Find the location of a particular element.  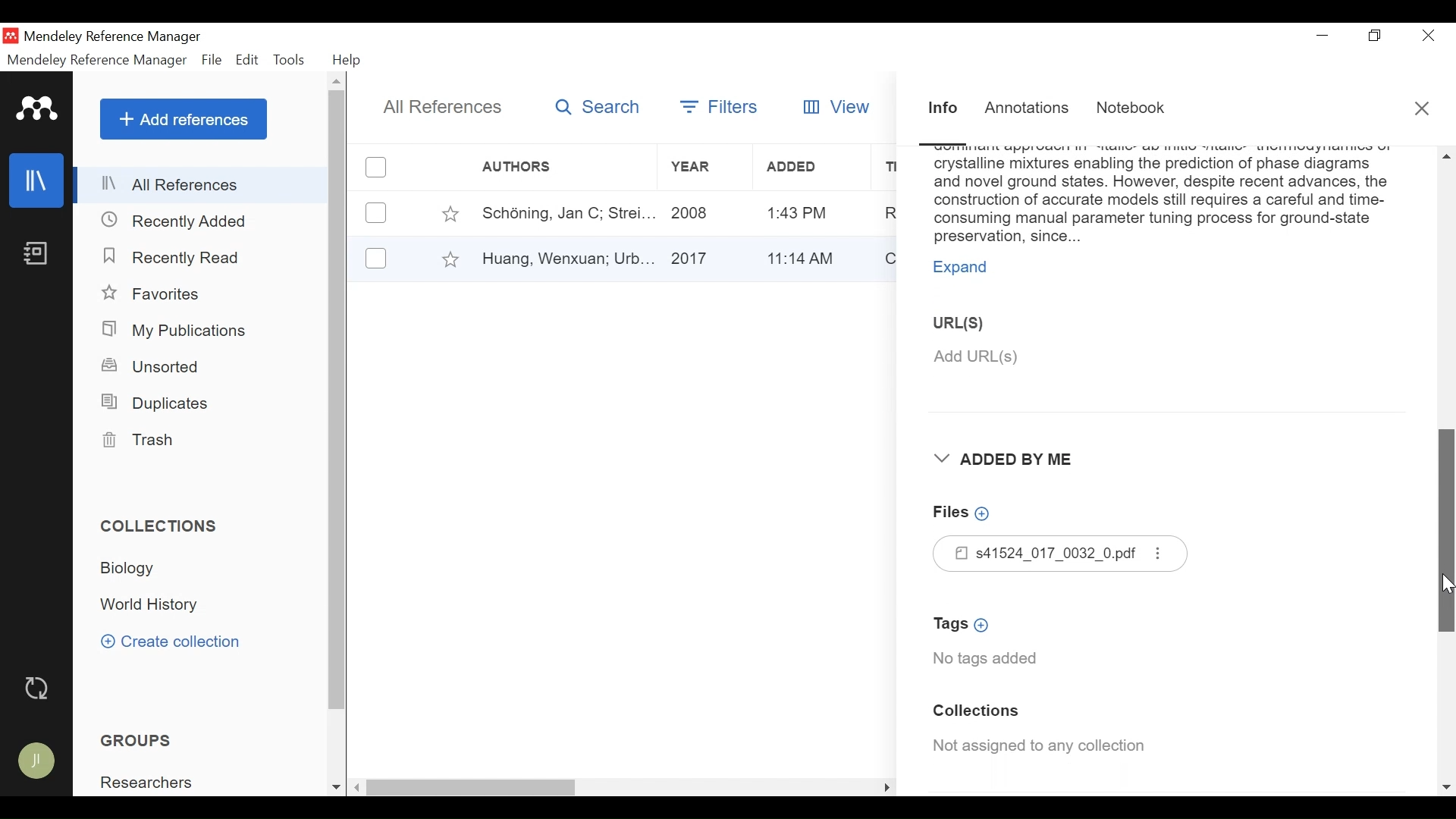

Year is located at coordinates (703, 212).